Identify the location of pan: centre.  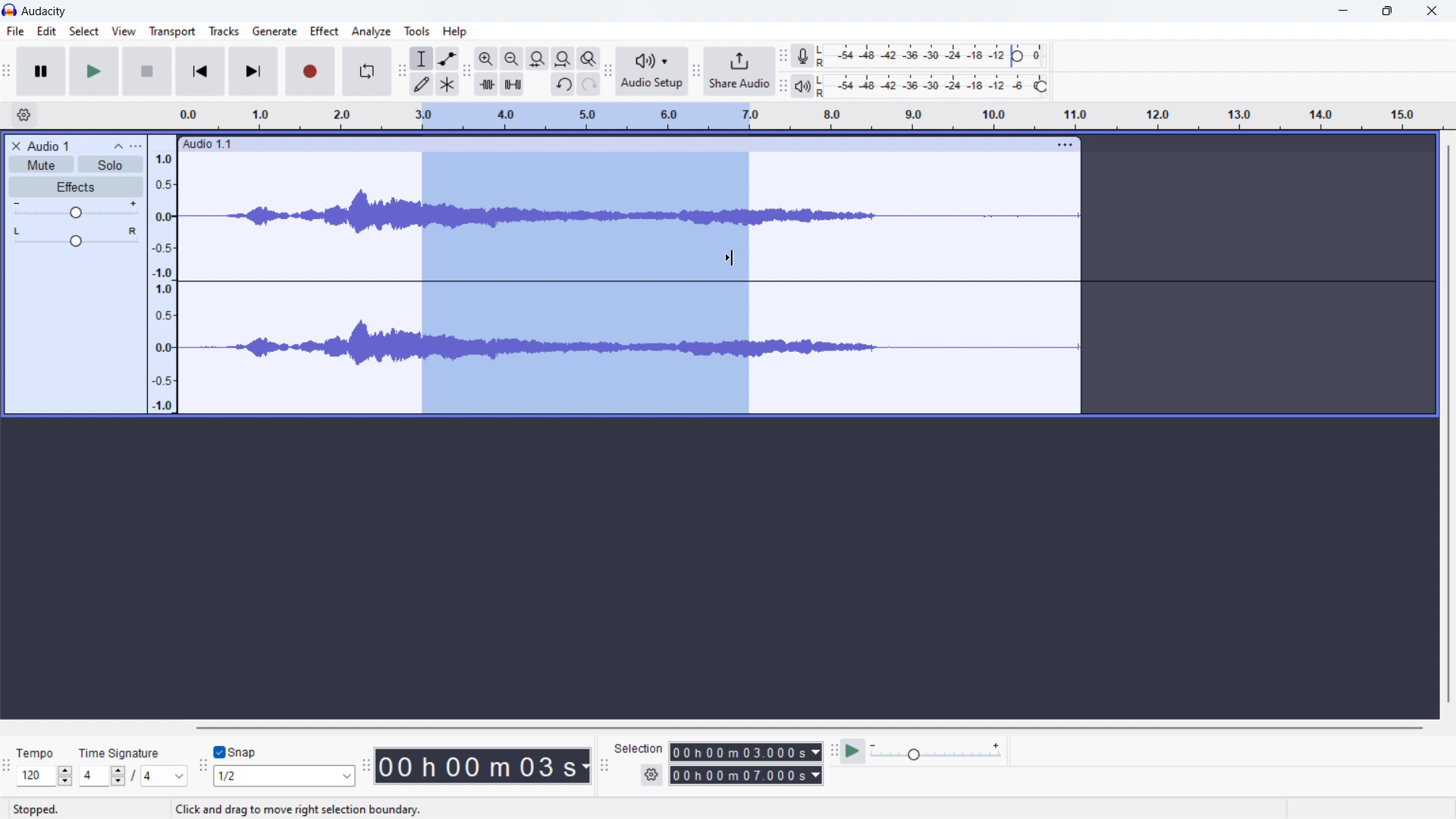
(76, 240).